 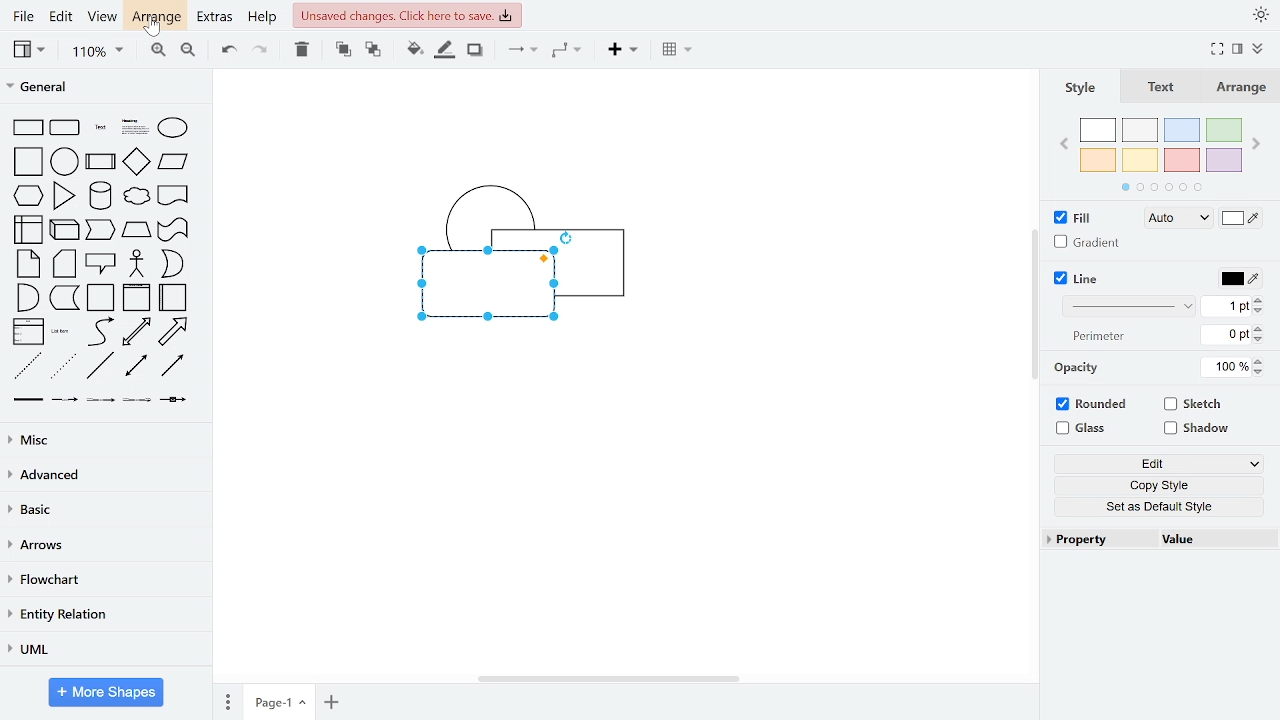 What do you see at coordinates (1155, 485) in the screenshot?
I see `copy style` at bounding box center [1155, 485].